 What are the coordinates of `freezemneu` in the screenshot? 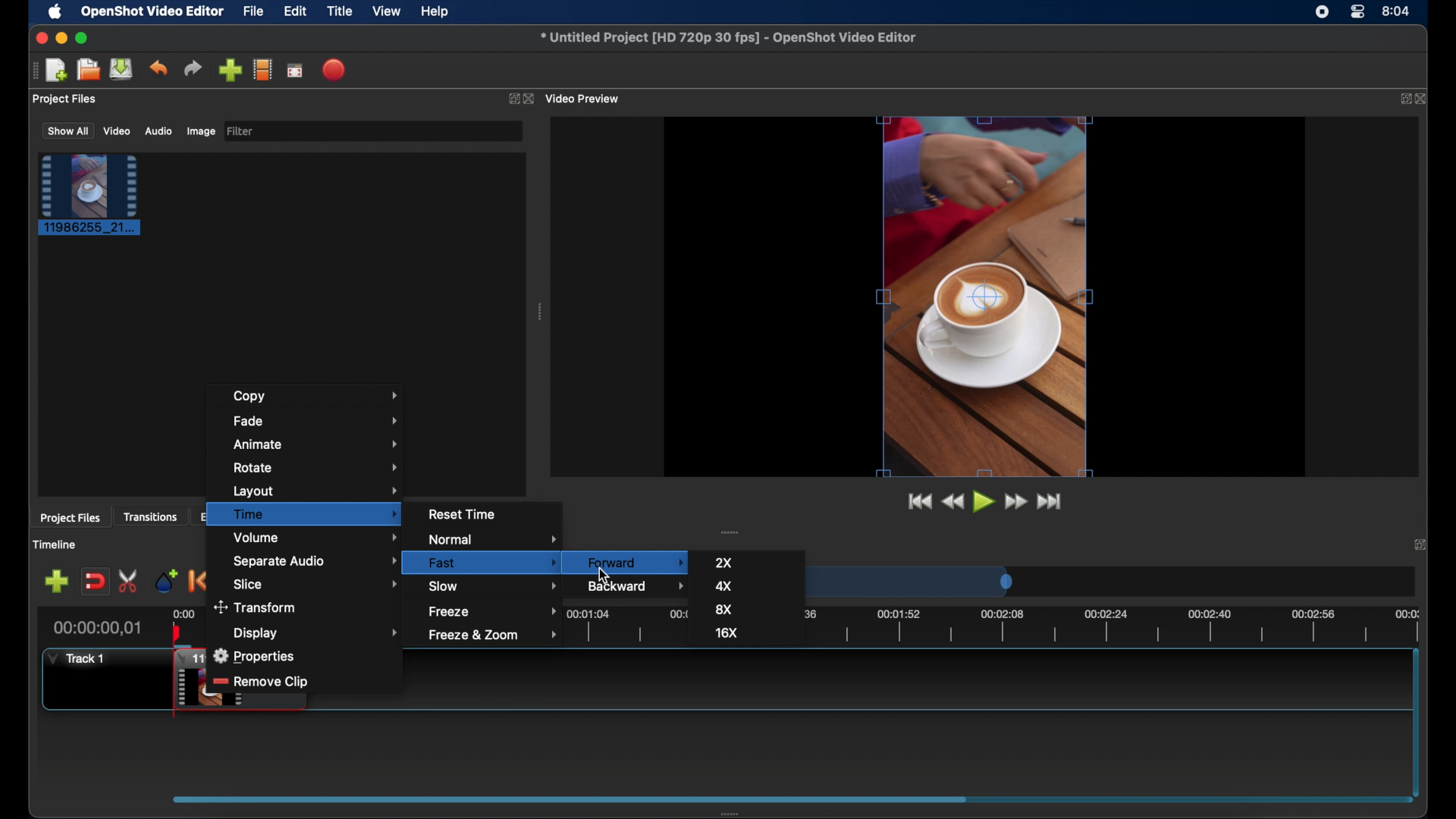 It's located at (496, 611).